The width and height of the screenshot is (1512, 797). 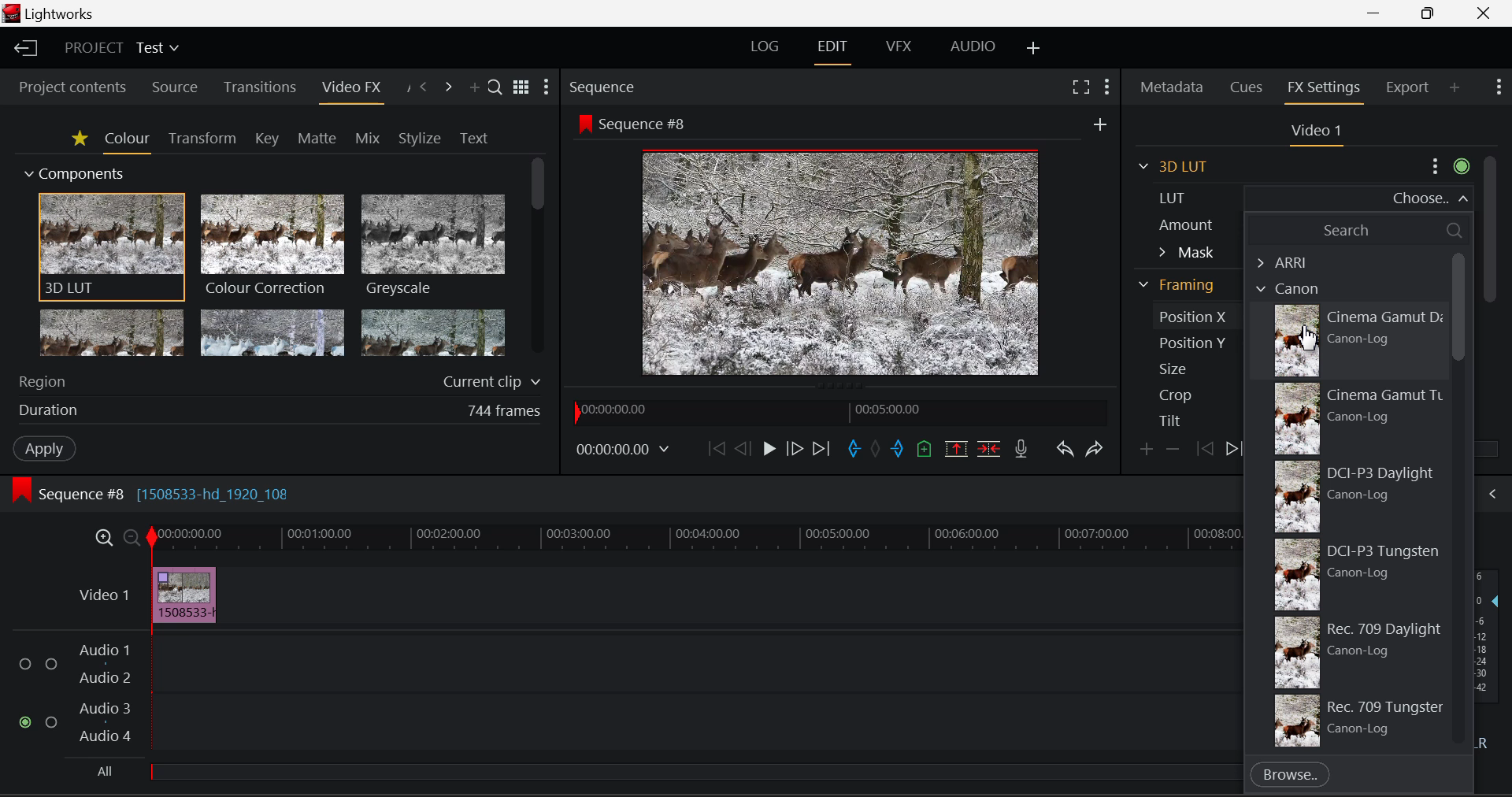 I want to click on Remove all marks, so click(x=877, y=451).